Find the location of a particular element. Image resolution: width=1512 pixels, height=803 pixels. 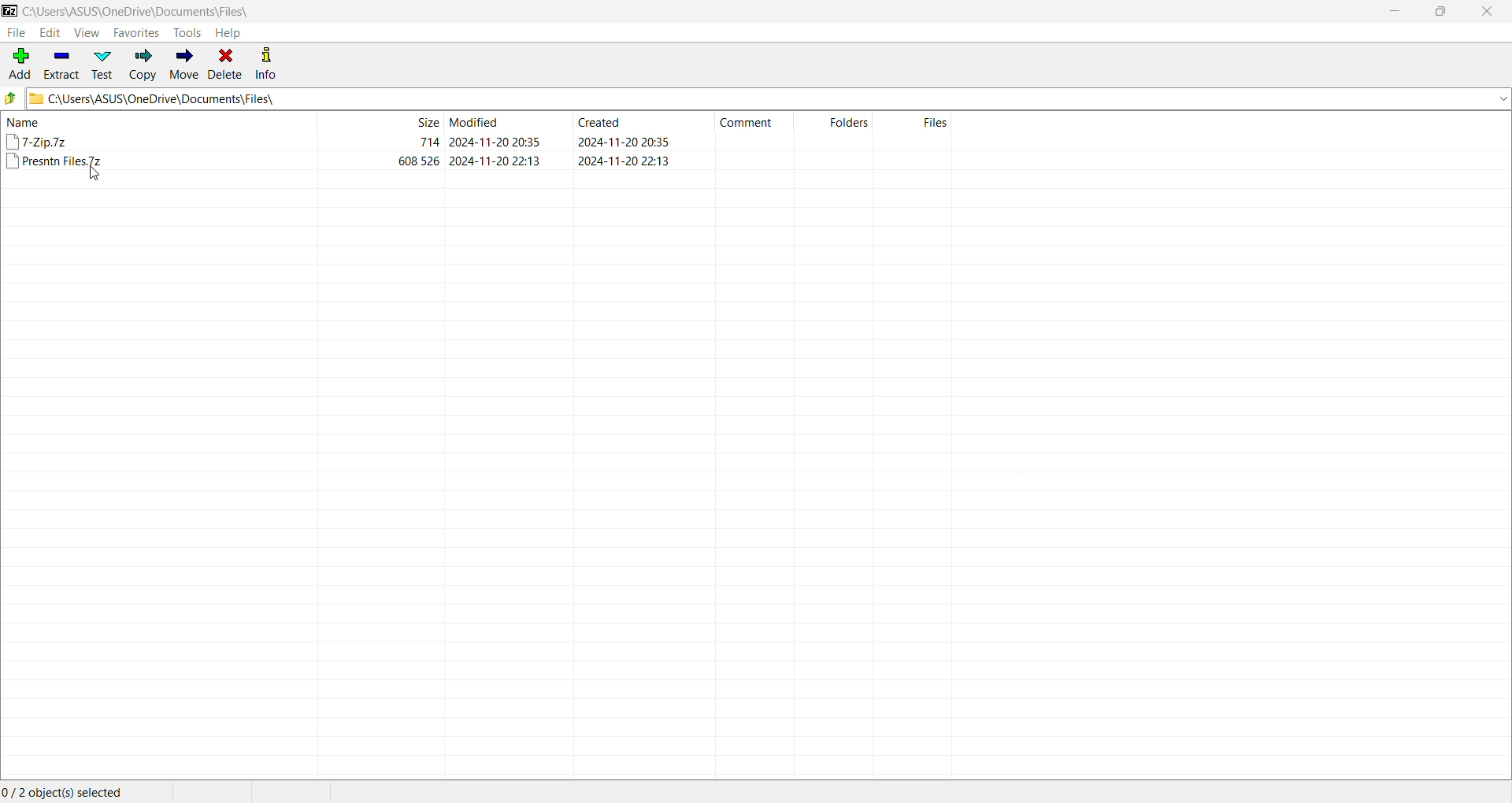

folders is located at coordinates (849, 121).